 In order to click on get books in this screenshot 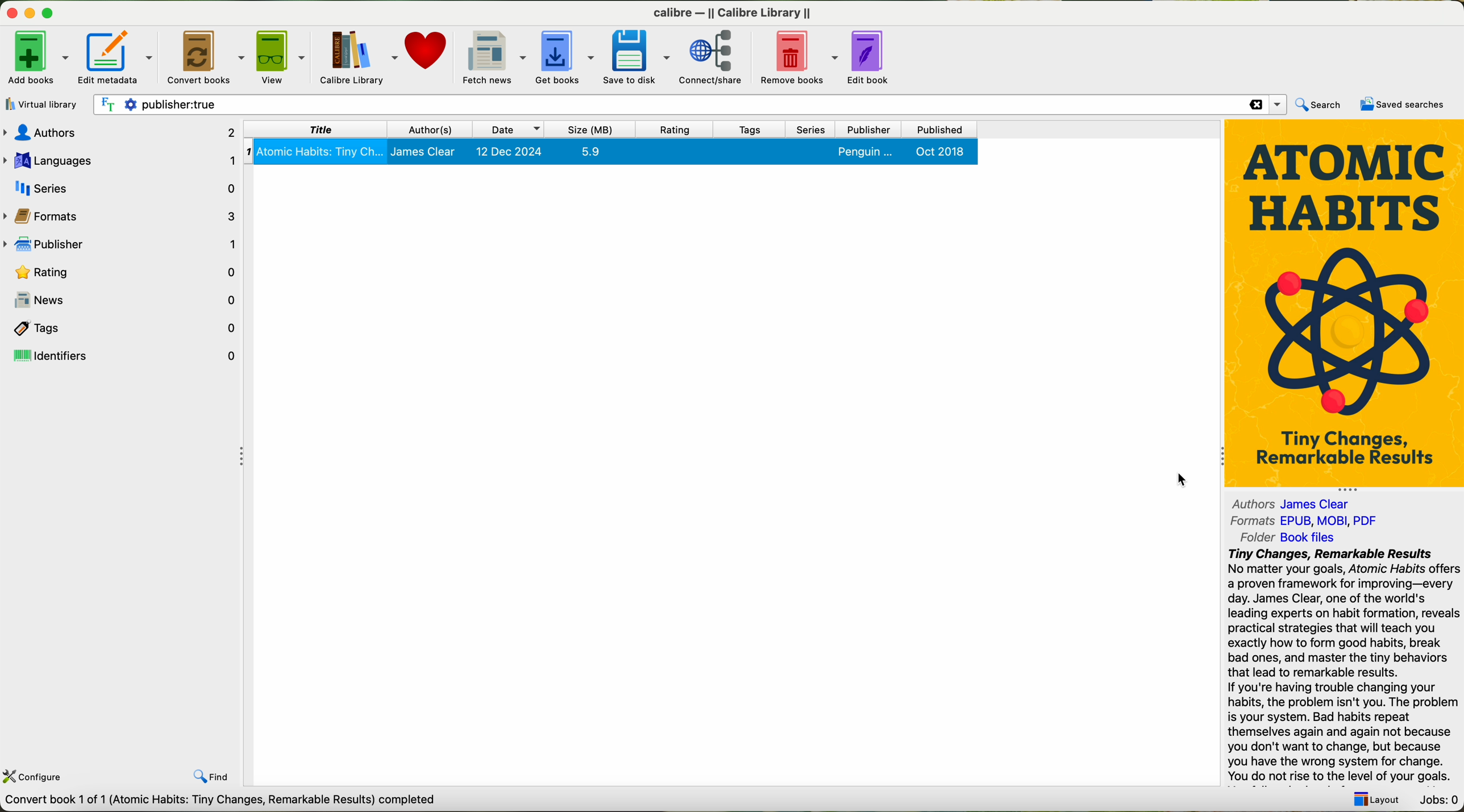, I will do `click(564, 56)`.